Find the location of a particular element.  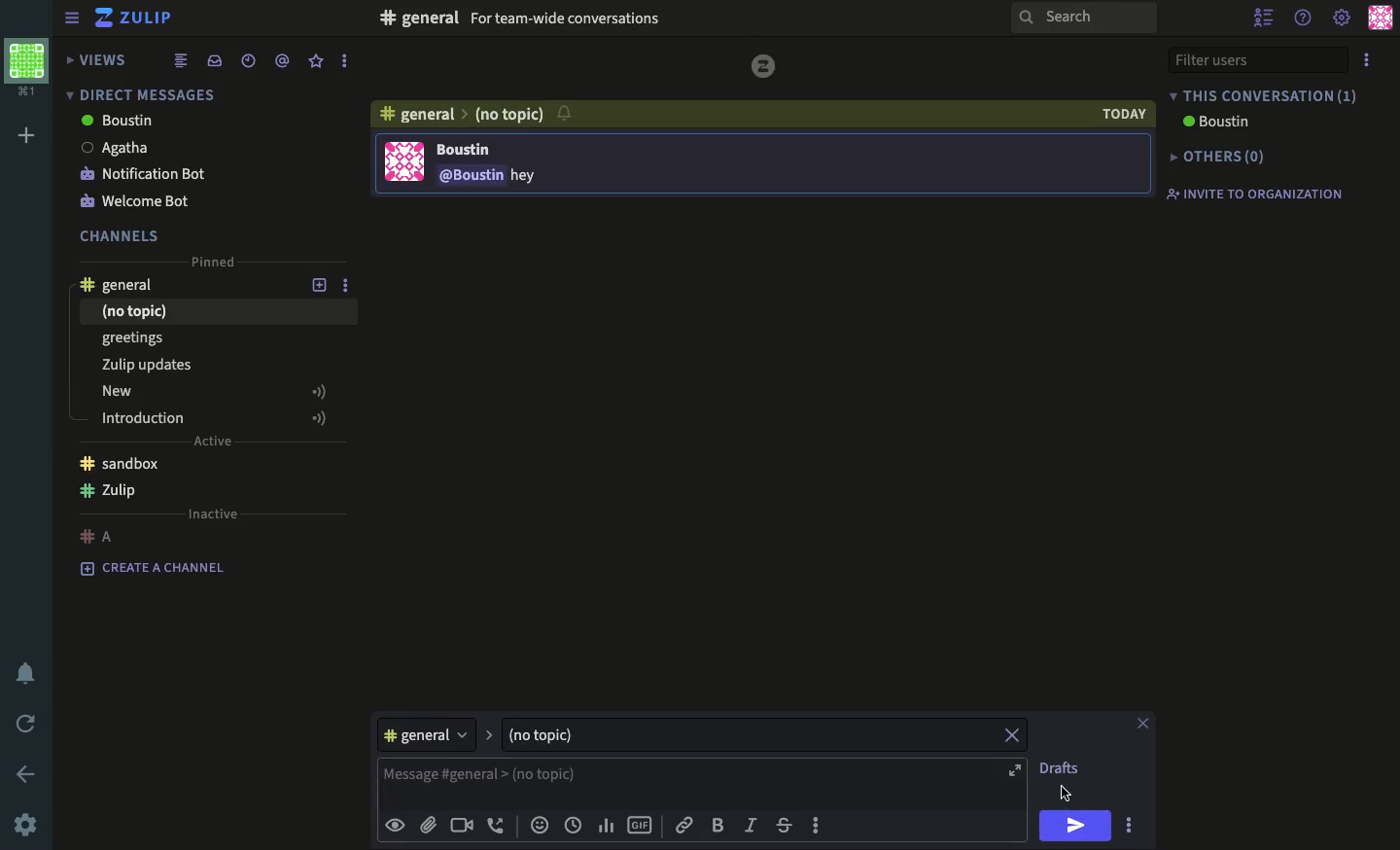

link is located at coordinates (682, 825).